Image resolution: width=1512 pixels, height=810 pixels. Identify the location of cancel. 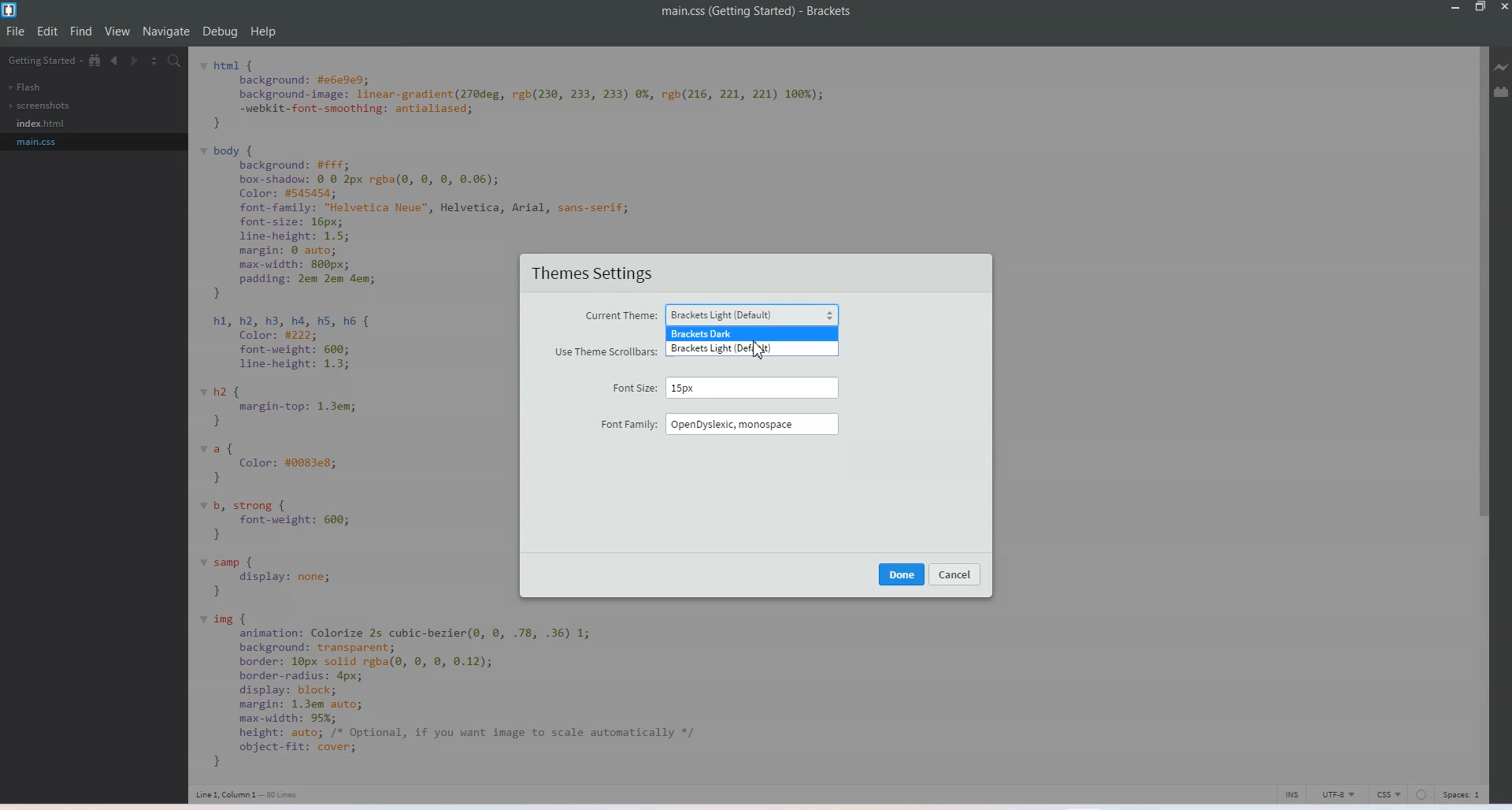
(958, 574).